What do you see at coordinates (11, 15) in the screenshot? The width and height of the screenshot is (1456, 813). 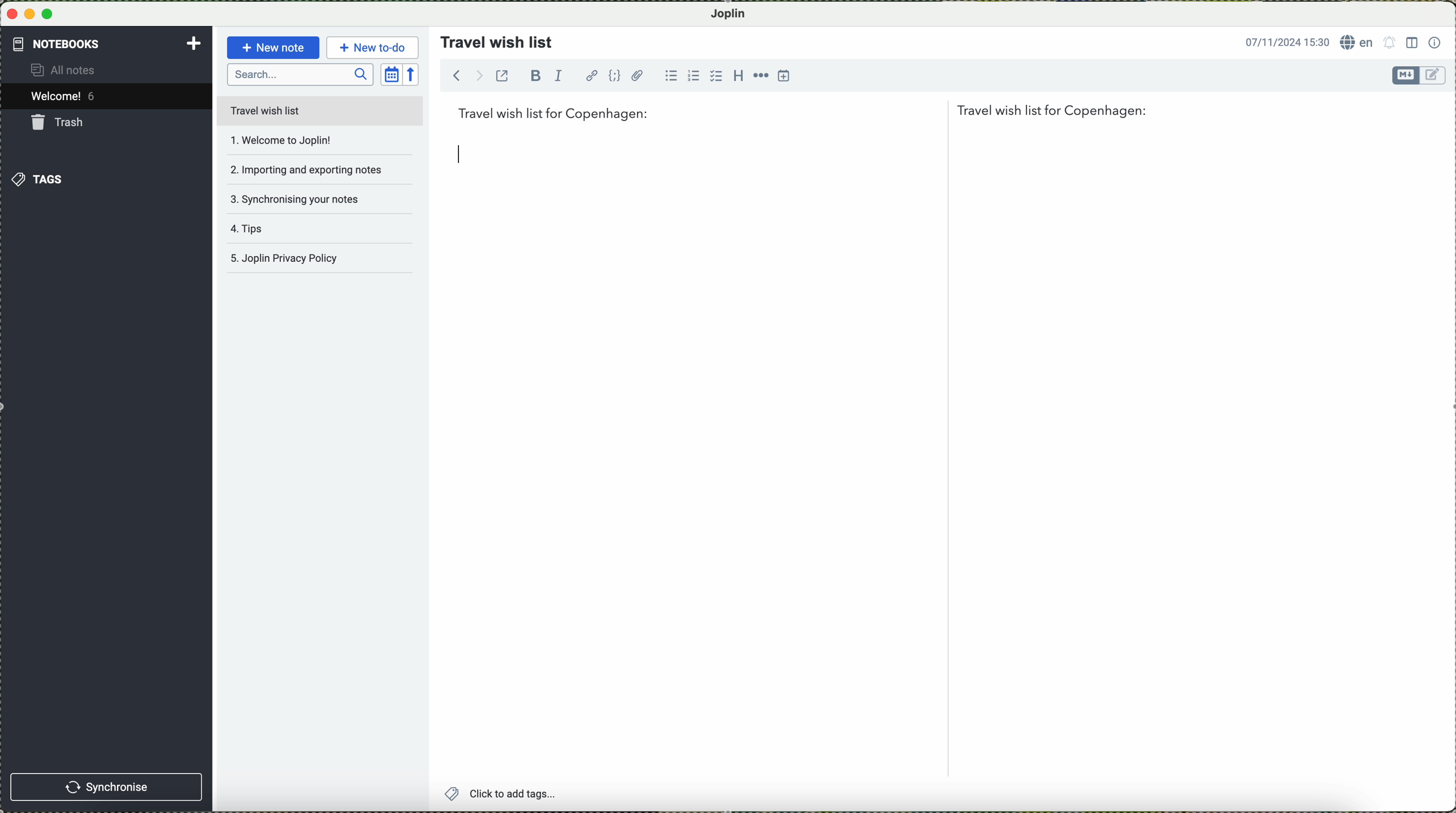 I see `close` at bounding box center [11, 15].